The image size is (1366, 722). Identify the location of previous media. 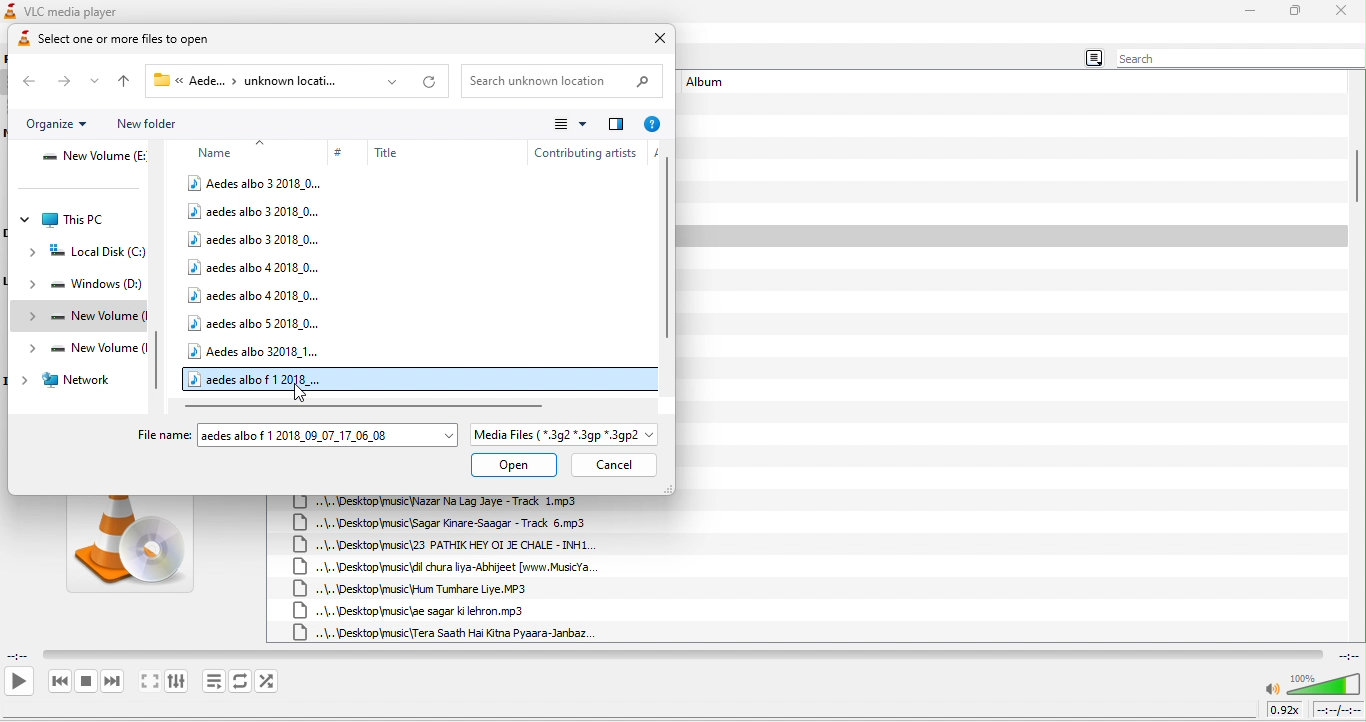
(59, 682).